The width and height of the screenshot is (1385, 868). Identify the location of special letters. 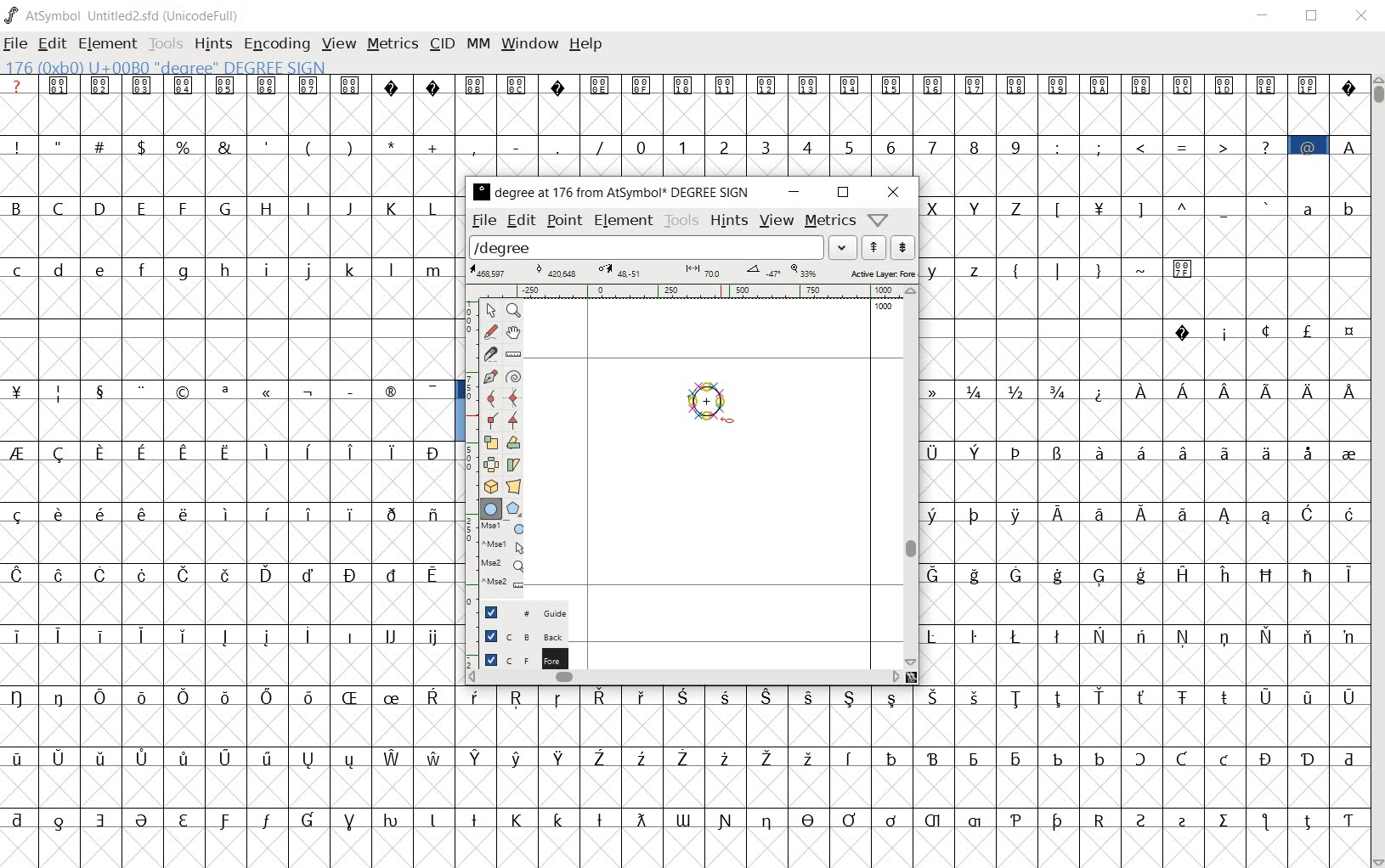
(1140, 573).